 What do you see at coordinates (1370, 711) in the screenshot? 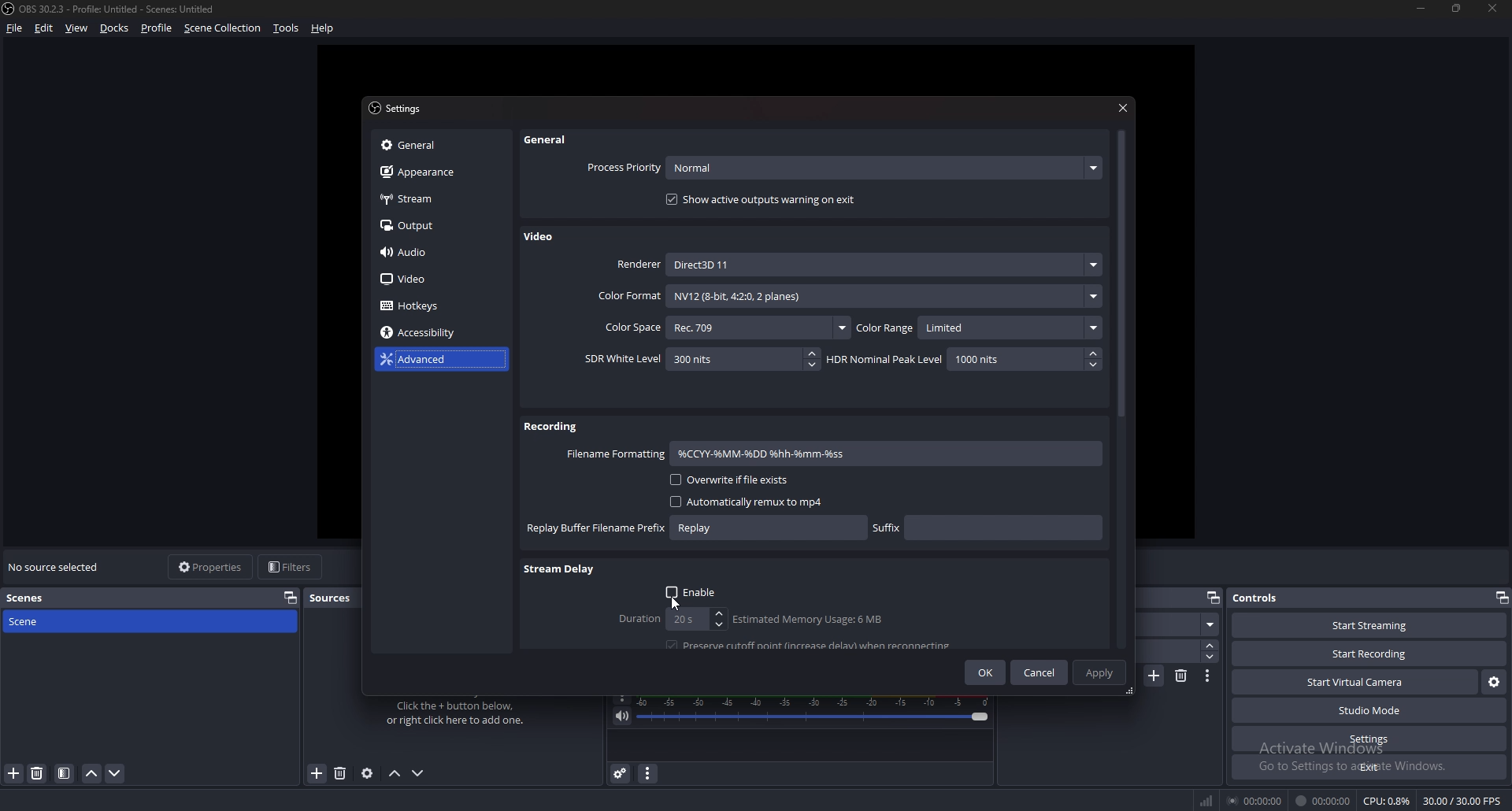
I see `studio mode` at bounding box center [1370, 711].